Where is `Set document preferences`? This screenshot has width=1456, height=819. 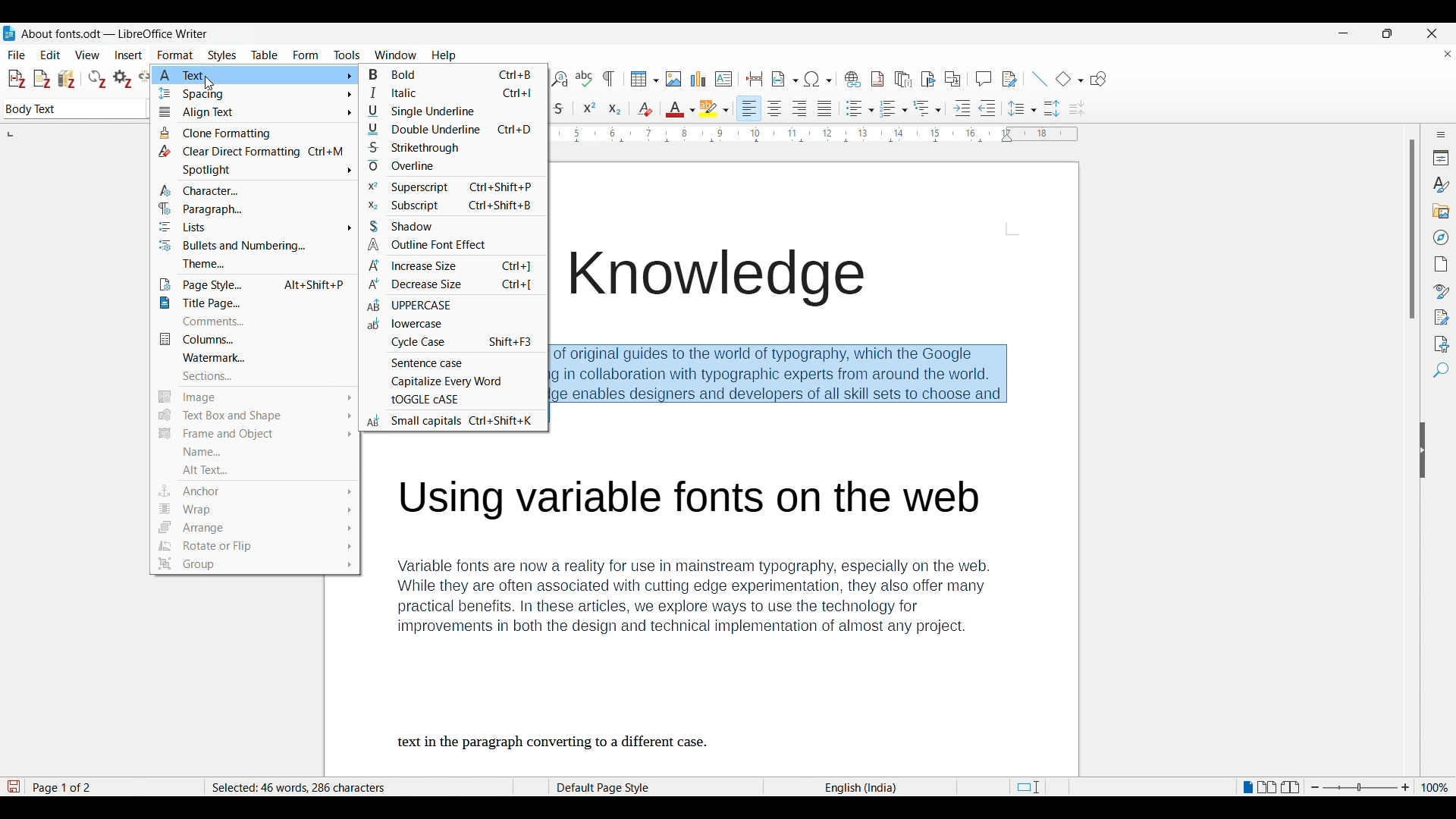
Set document preferences is located at coordinates (122, 79).